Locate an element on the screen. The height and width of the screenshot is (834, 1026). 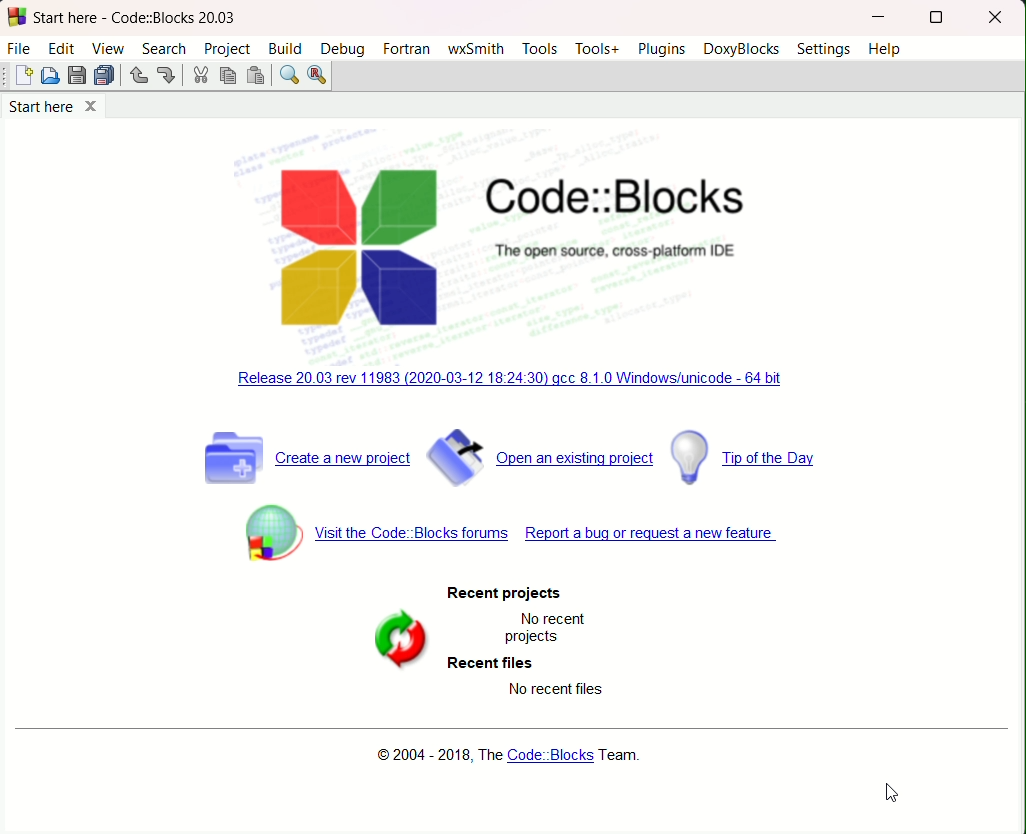
 is located at coordinates (554, 689).